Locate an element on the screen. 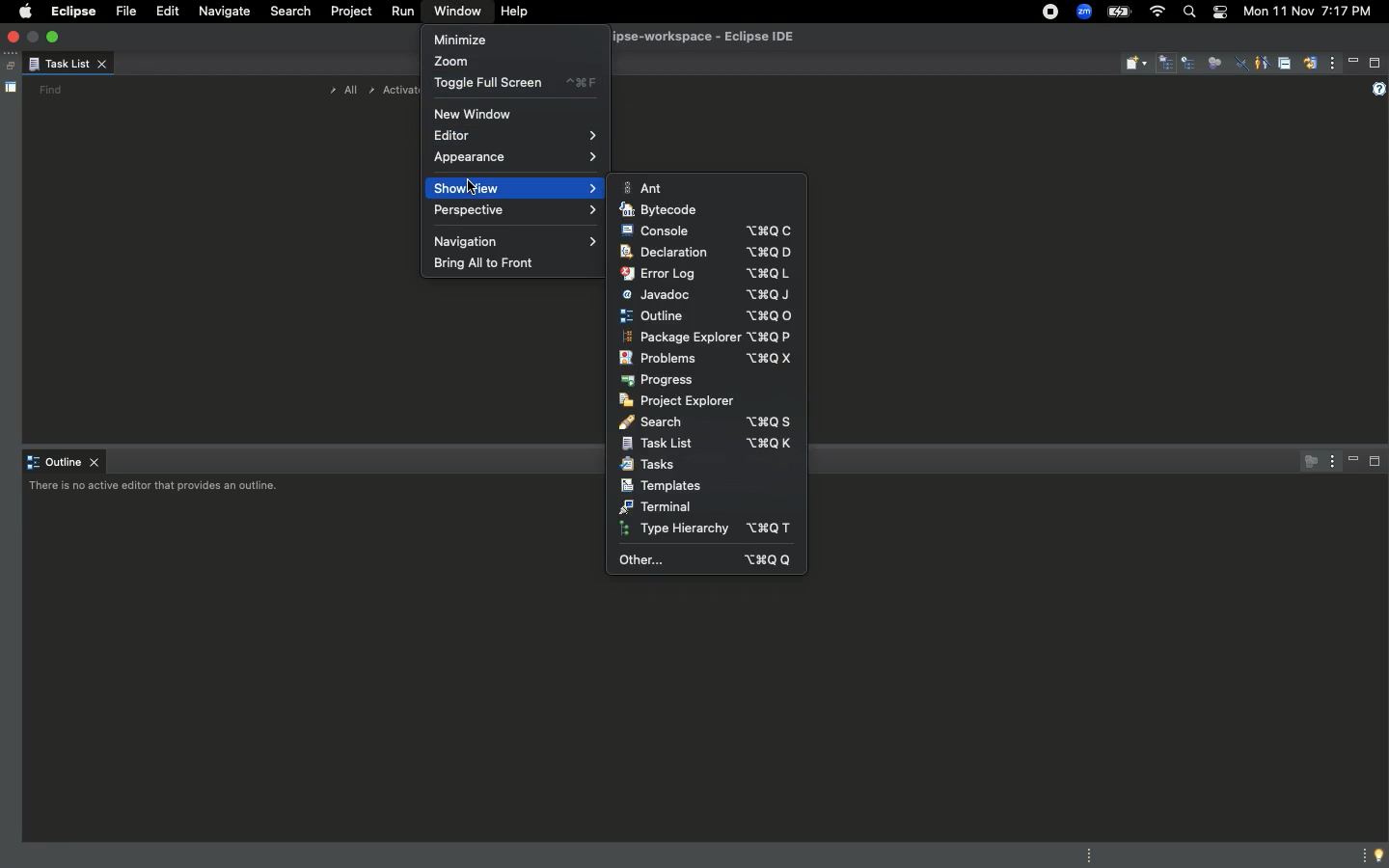 The image size is (1389, 868). cursor is located at coordinates (476, 180).